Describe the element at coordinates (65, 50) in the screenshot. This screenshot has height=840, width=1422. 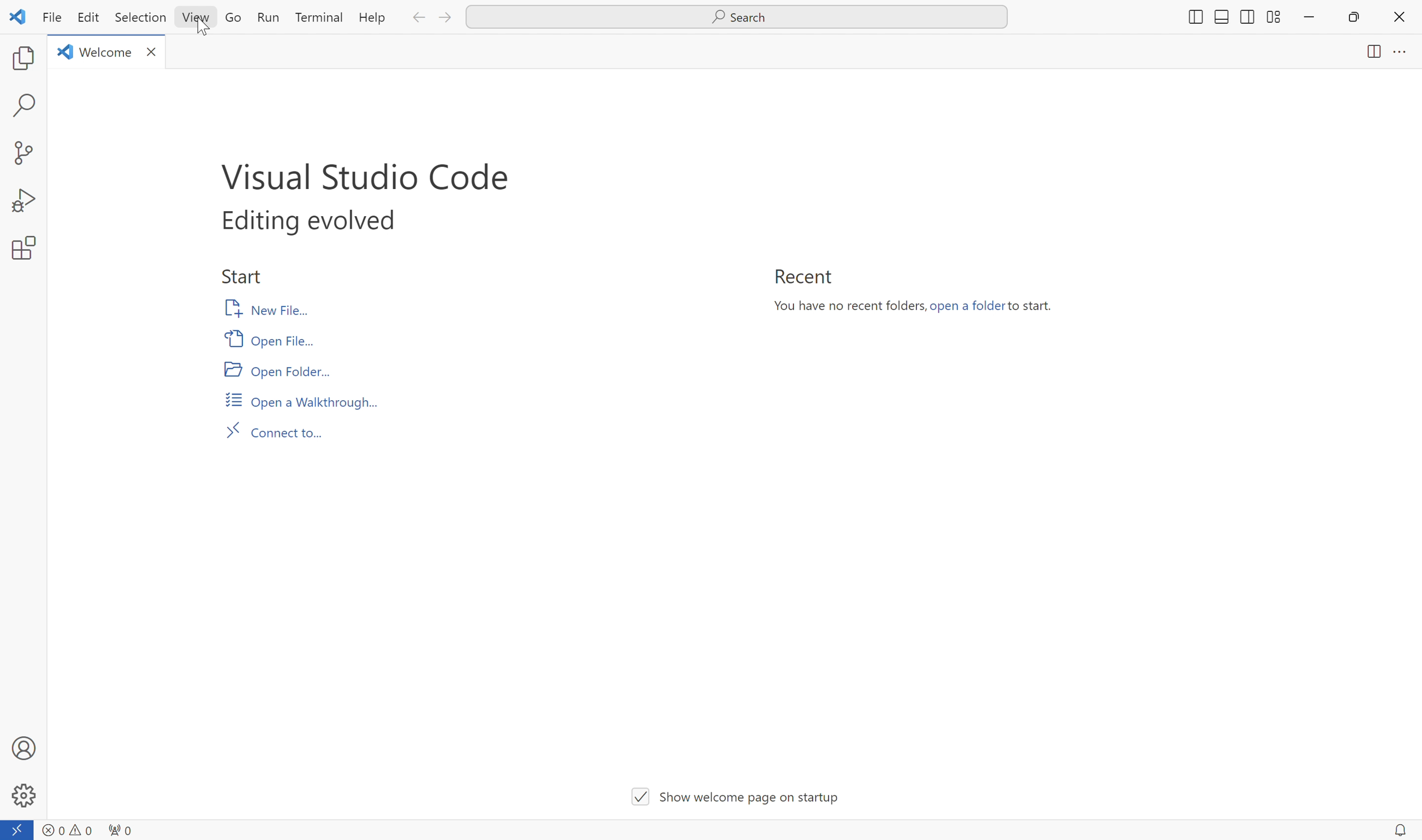
I see `logo` at that location.